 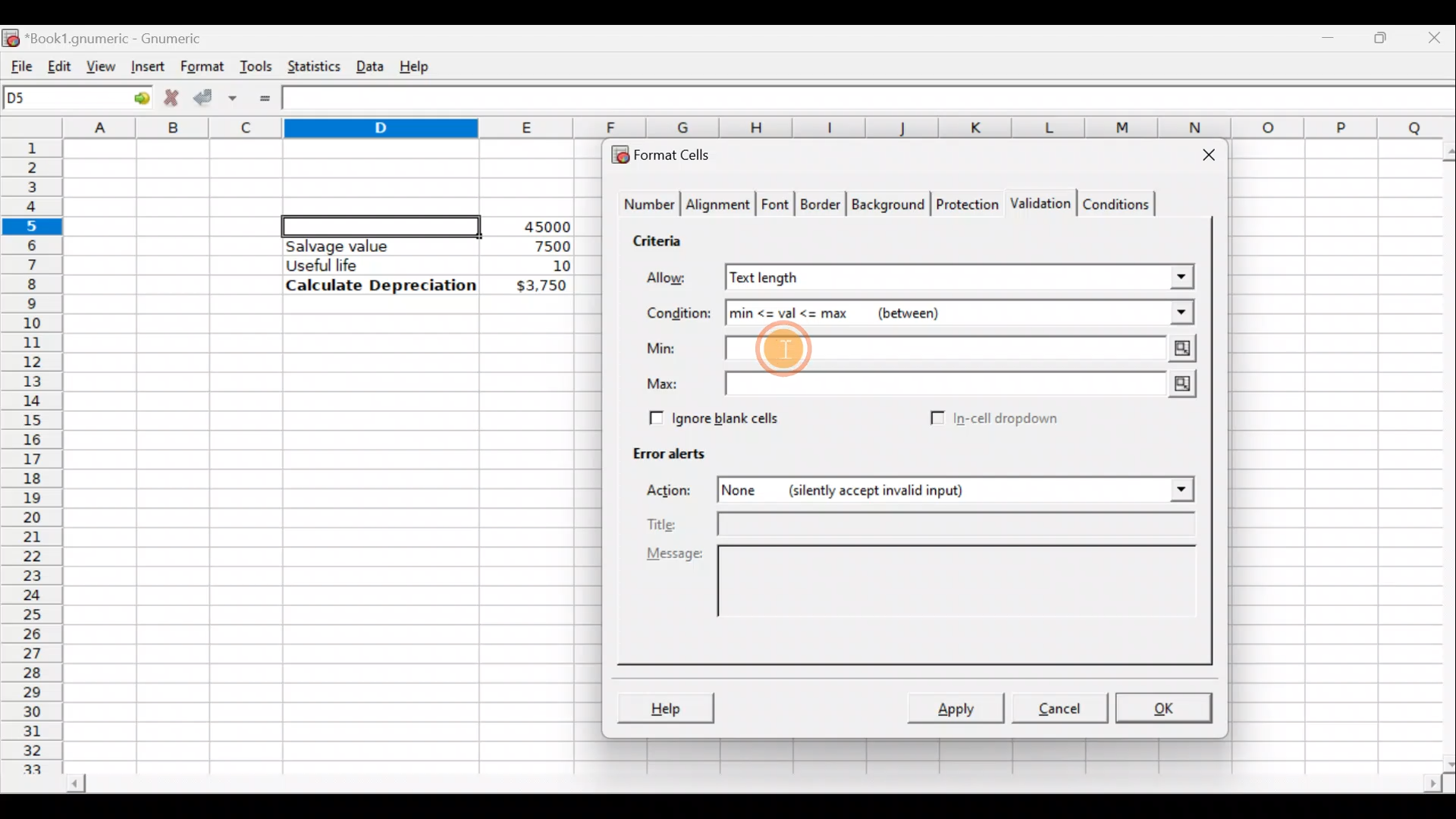 I want to click on Formula bar, so click(x=873, y=100).